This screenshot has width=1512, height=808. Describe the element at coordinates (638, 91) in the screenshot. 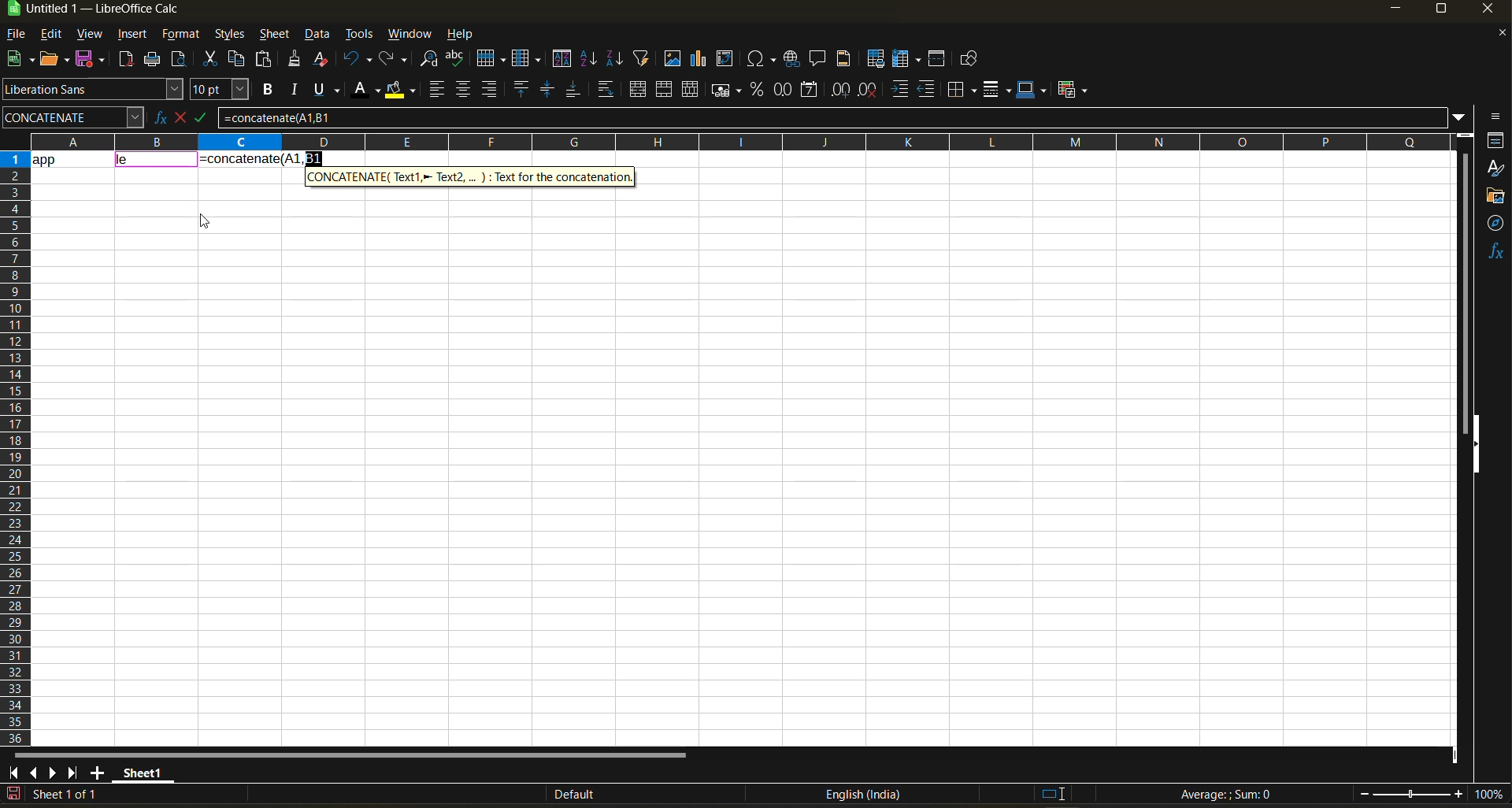

I see `merge and center` at that location.